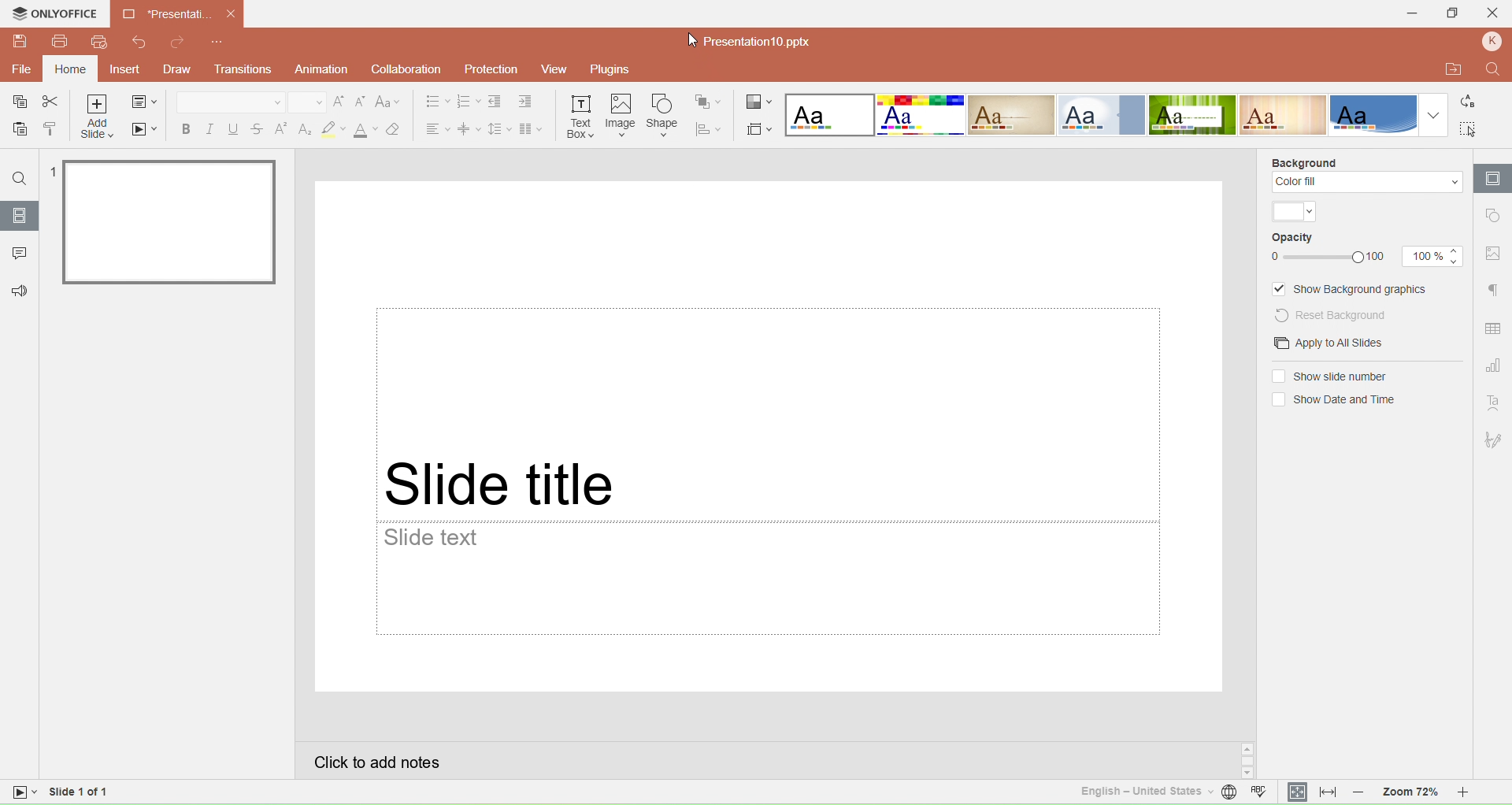 Image resolution: width=1512 pixels, height=805 pixels. Describe the element at coordinates (1325, 258) in the screenshot. I see `Opacity Slider` at that location.